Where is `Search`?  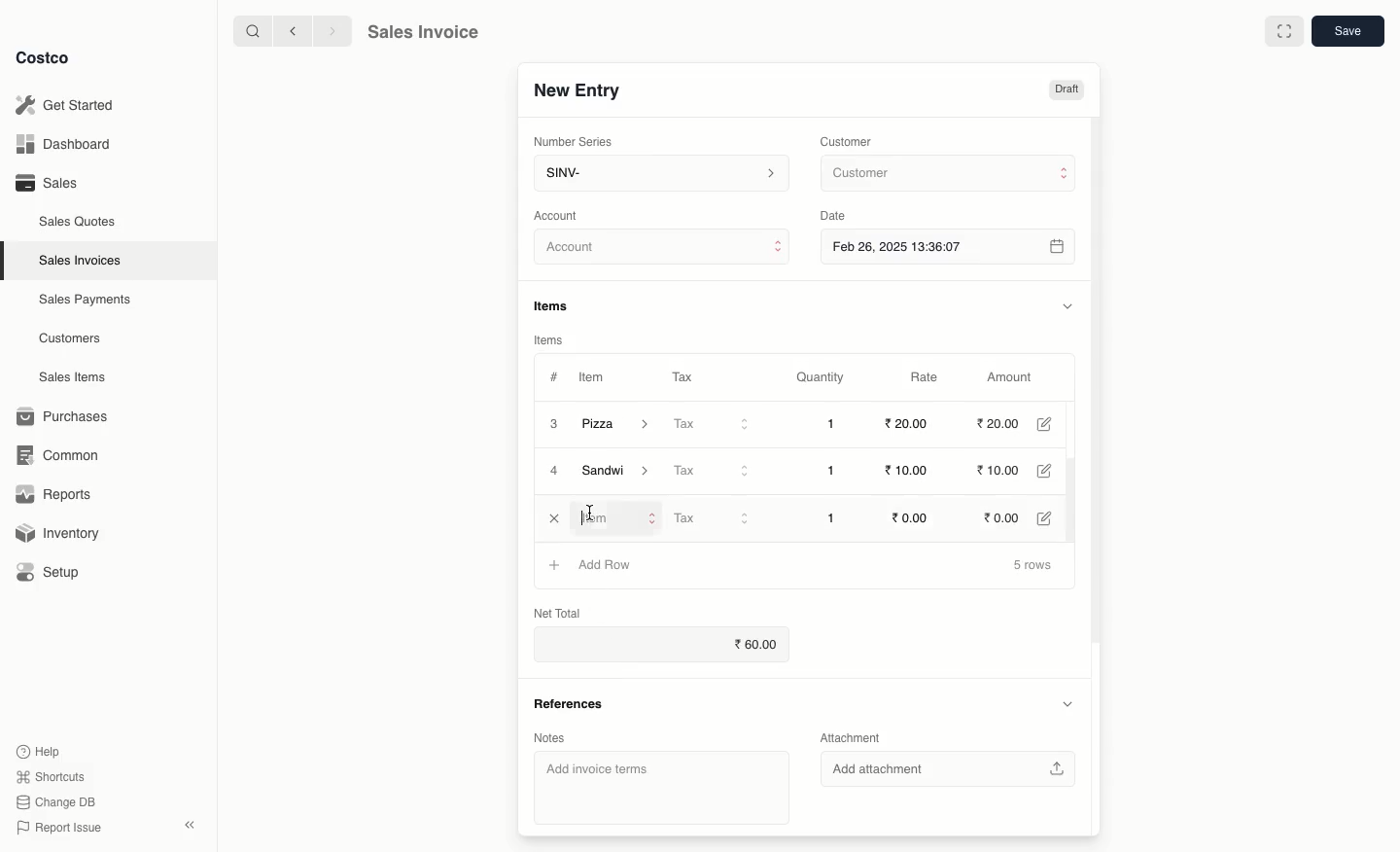
Search is located at coordinates (250, 30).